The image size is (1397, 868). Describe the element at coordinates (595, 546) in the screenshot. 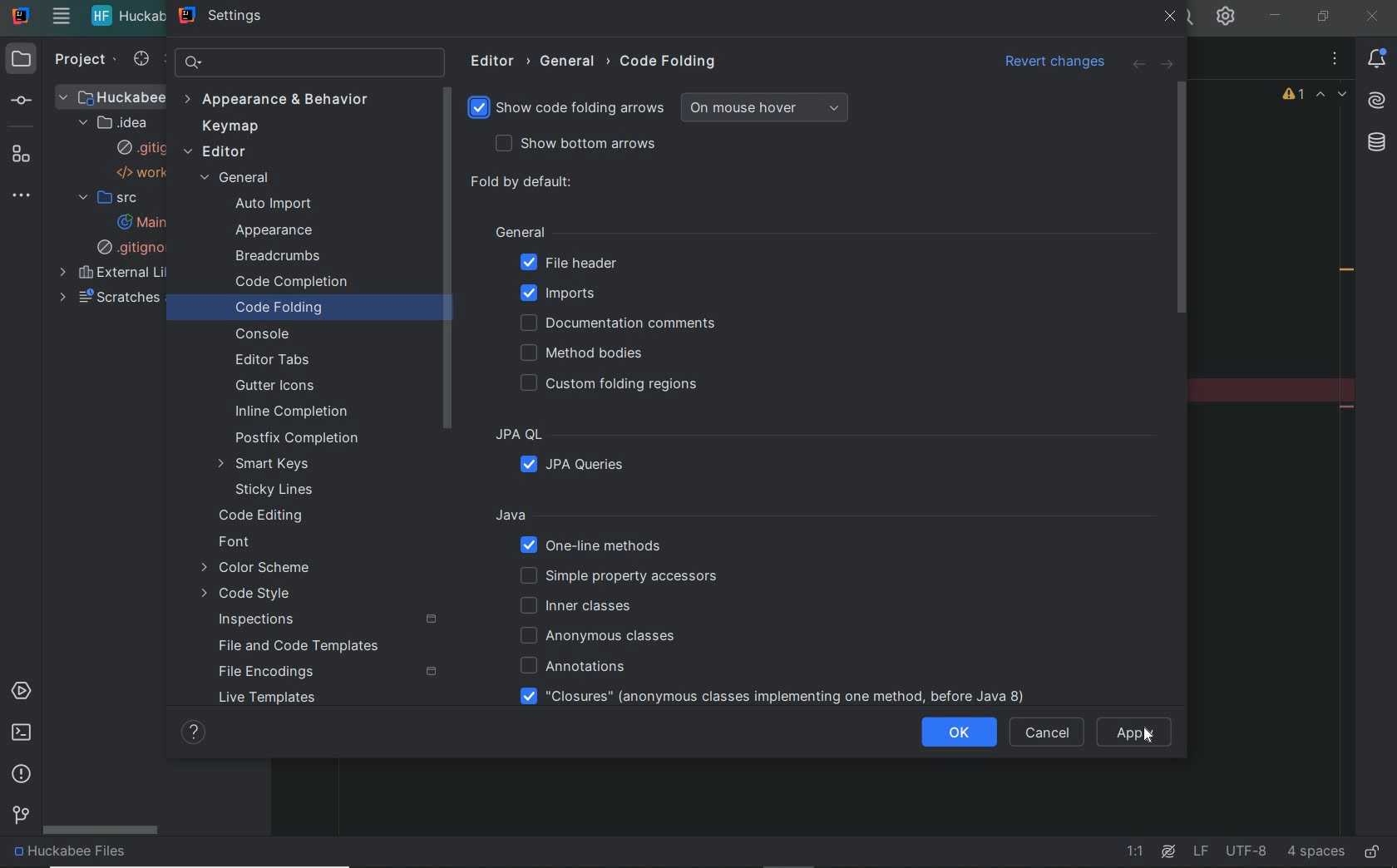

I see `one-line methods` at that location.